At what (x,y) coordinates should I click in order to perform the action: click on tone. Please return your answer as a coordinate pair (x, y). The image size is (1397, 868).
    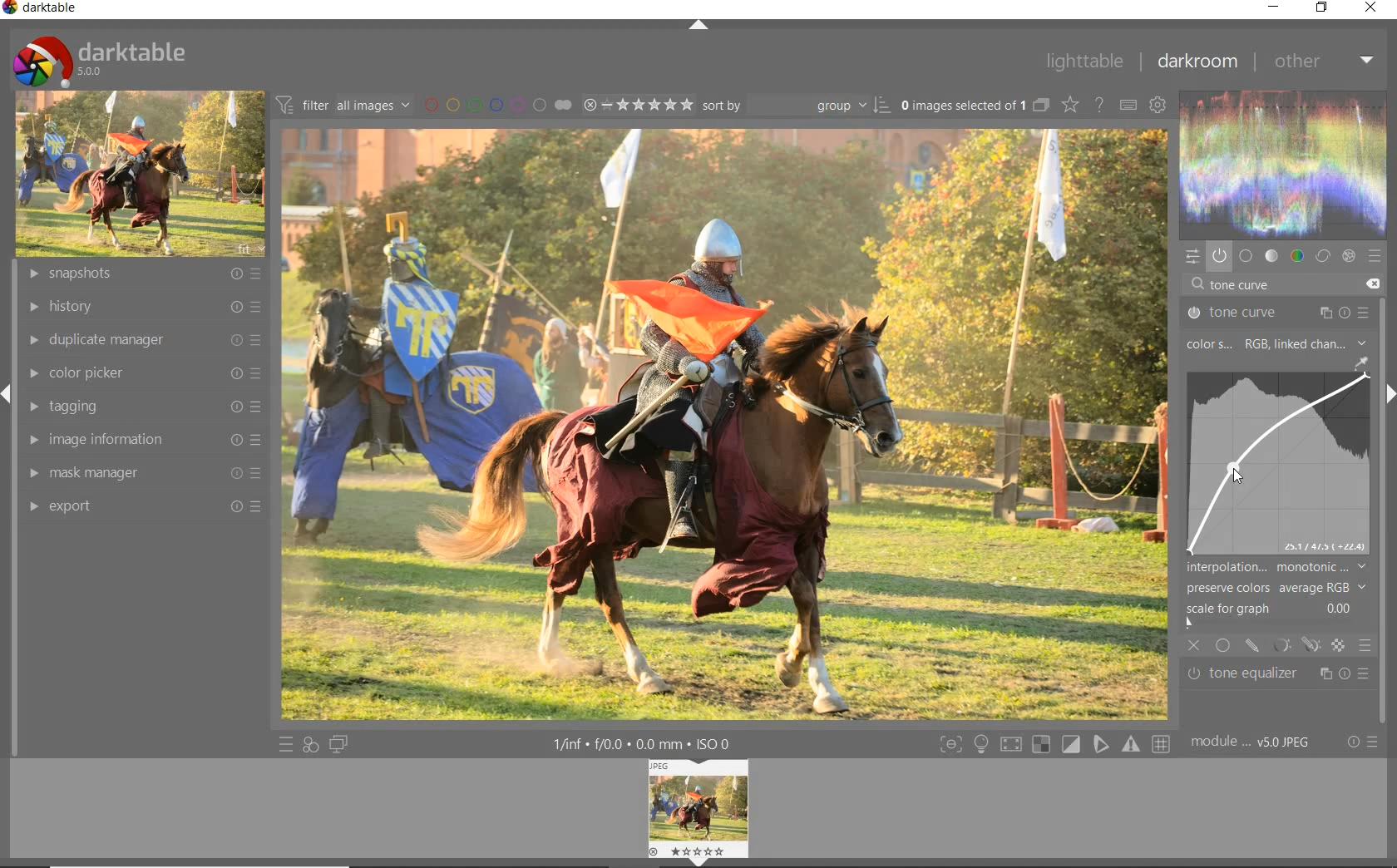
    Looking at the image, I should click on (1272, 256).